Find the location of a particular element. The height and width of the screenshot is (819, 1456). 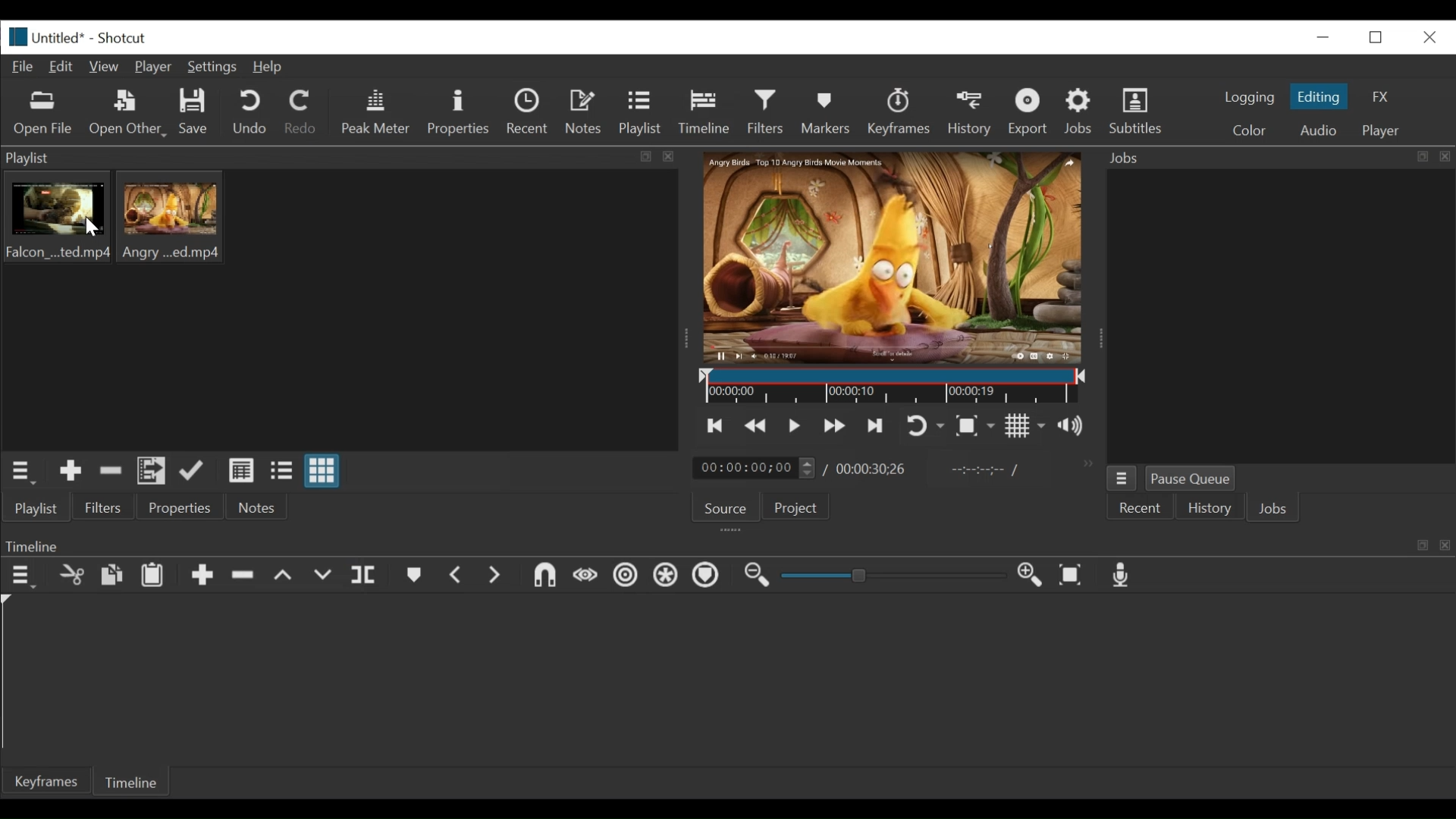

Undo is located at coordinates (252, 113).